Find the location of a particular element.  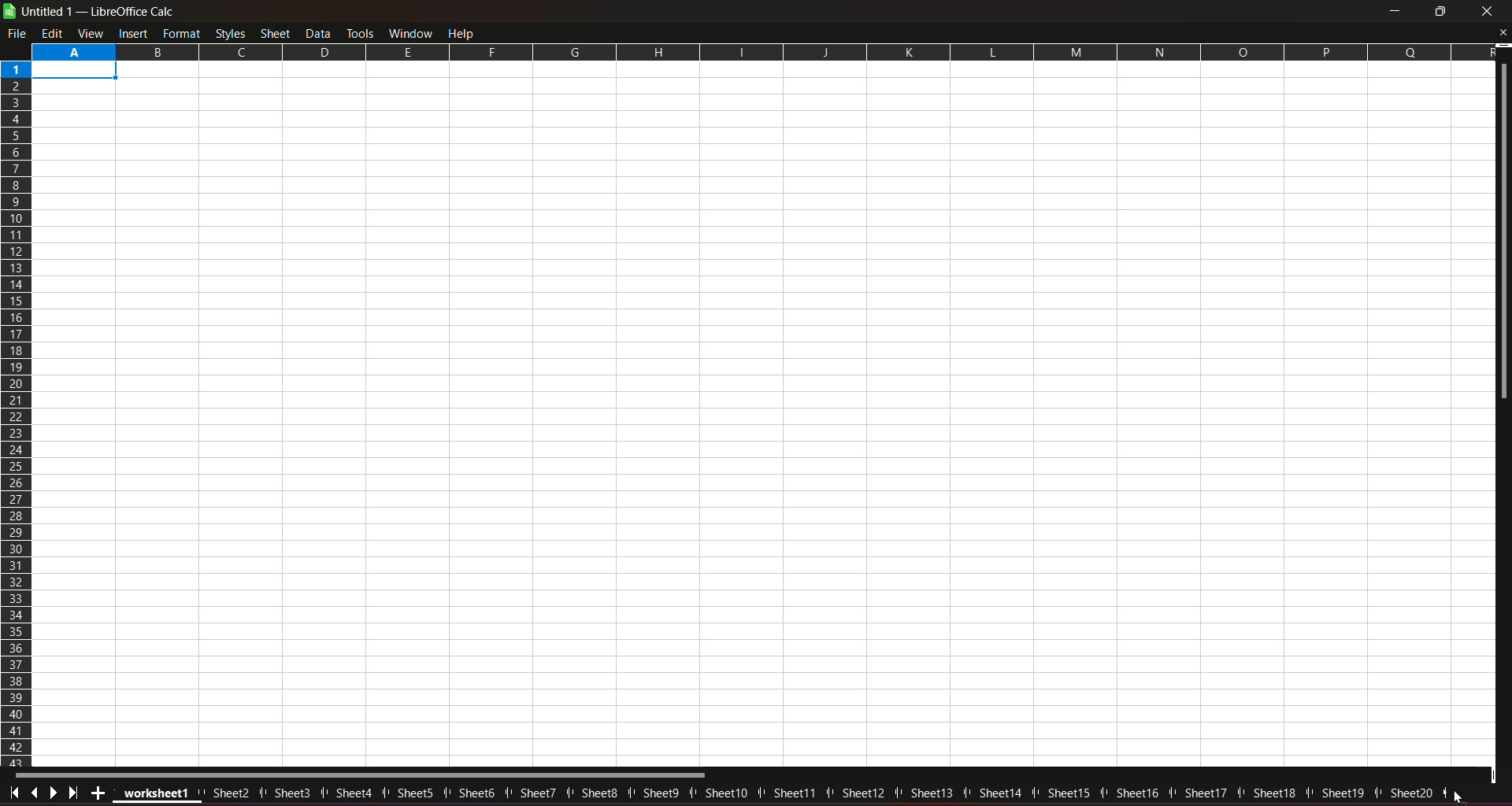

Sheet is located at coordinates (276, 32).